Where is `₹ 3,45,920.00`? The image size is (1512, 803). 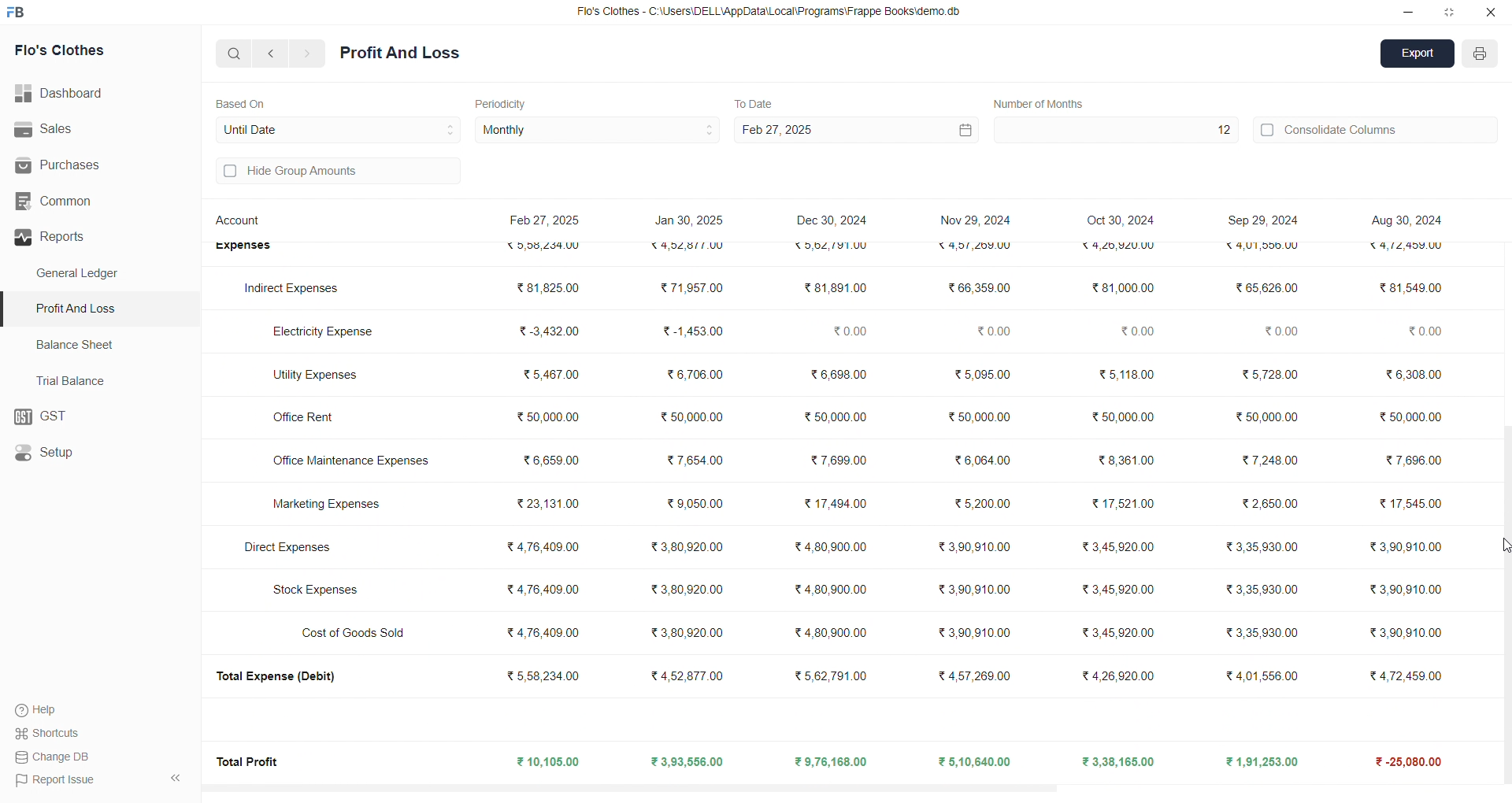 ₹ 3,45,920.00 is located at coordinates (1121, 547).